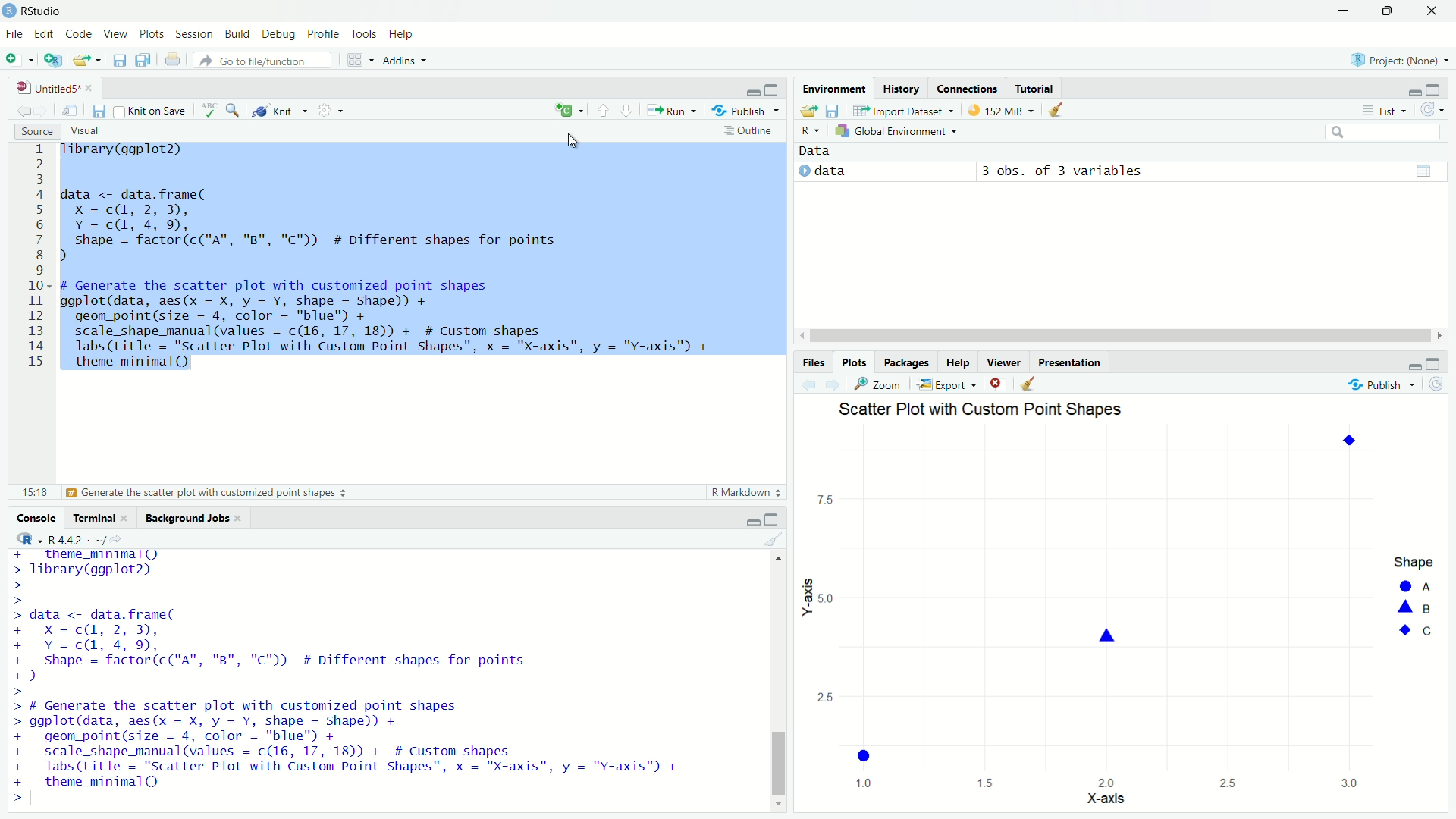 This screenshot has height=819, width=1456. What do you see at coordinates (46, 88) in the screenshot?
I see `Untitled5*` at bounding box center [46, 88].